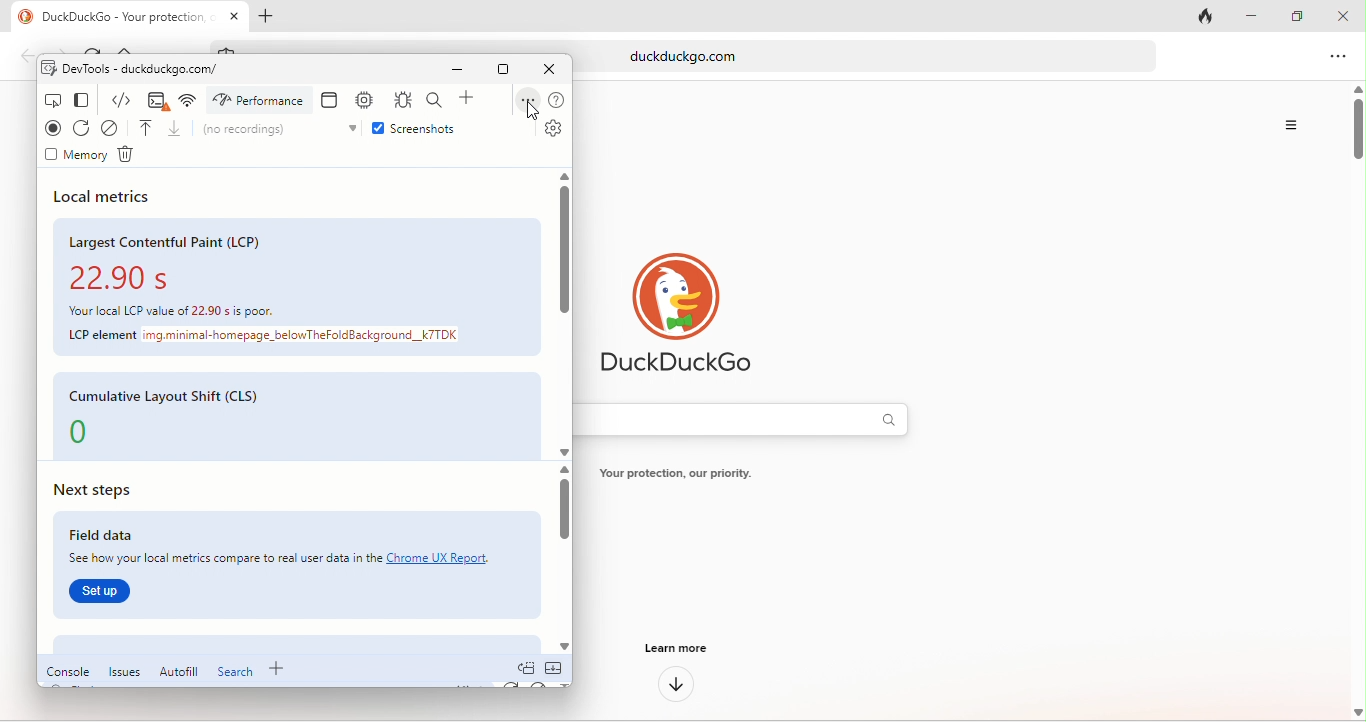  I want to click on scroll up, so click(560, 469).